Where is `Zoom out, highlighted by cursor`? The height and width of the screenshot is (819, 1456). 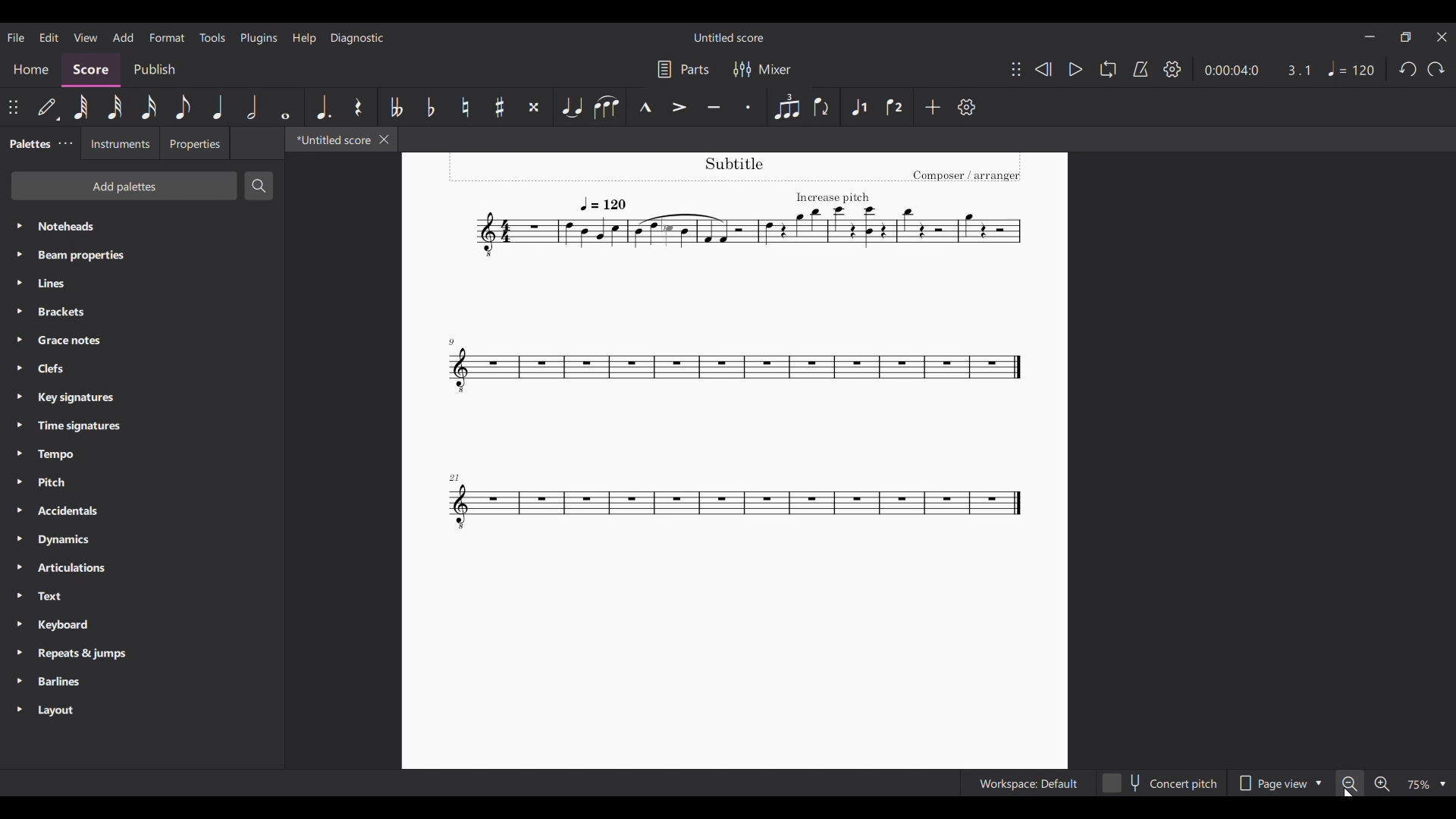 Zoom out, highlighted by cursor is located at coordinates (1349, 783).